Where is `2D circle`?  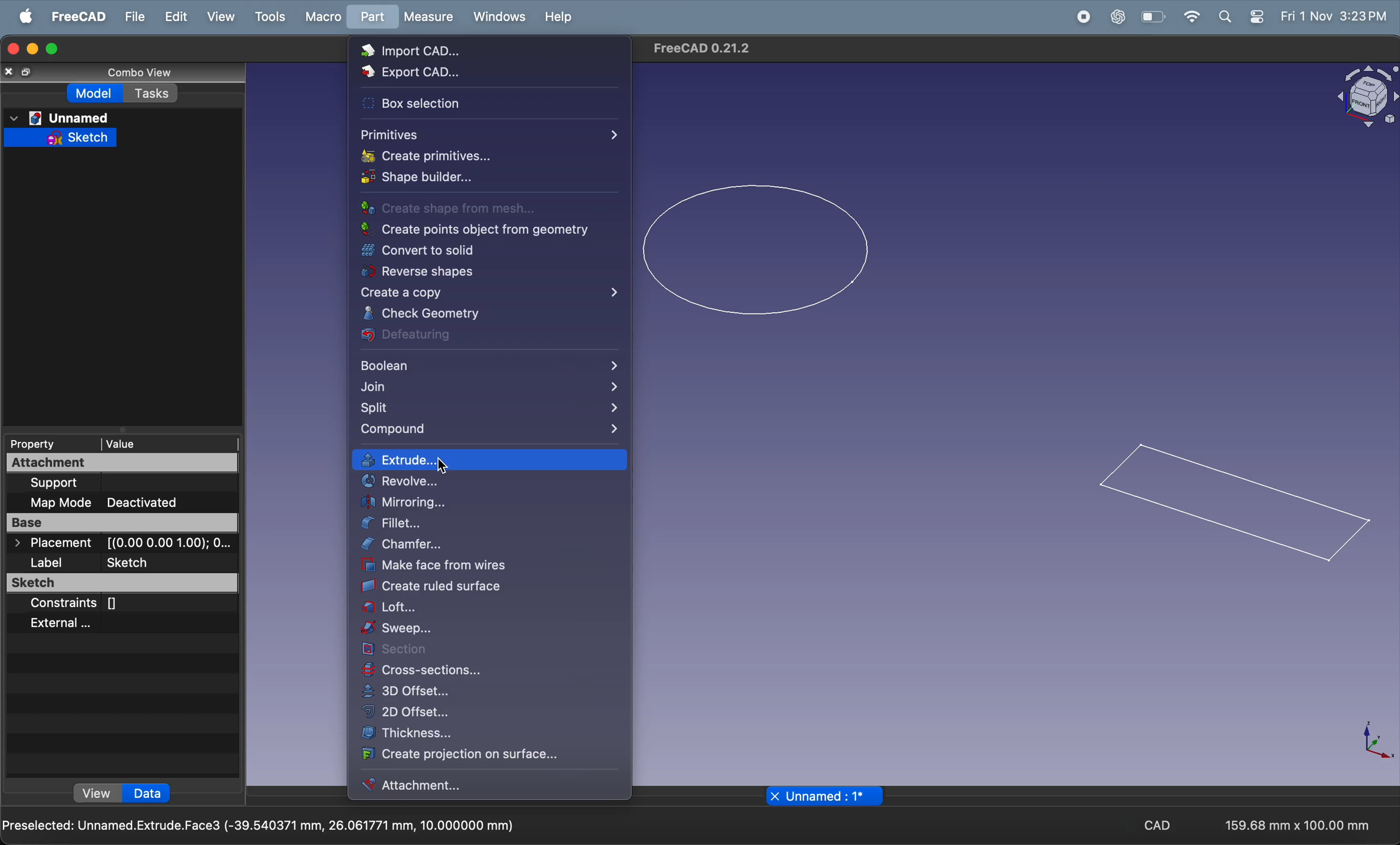 2D circle is located at coordinates (753, 249).